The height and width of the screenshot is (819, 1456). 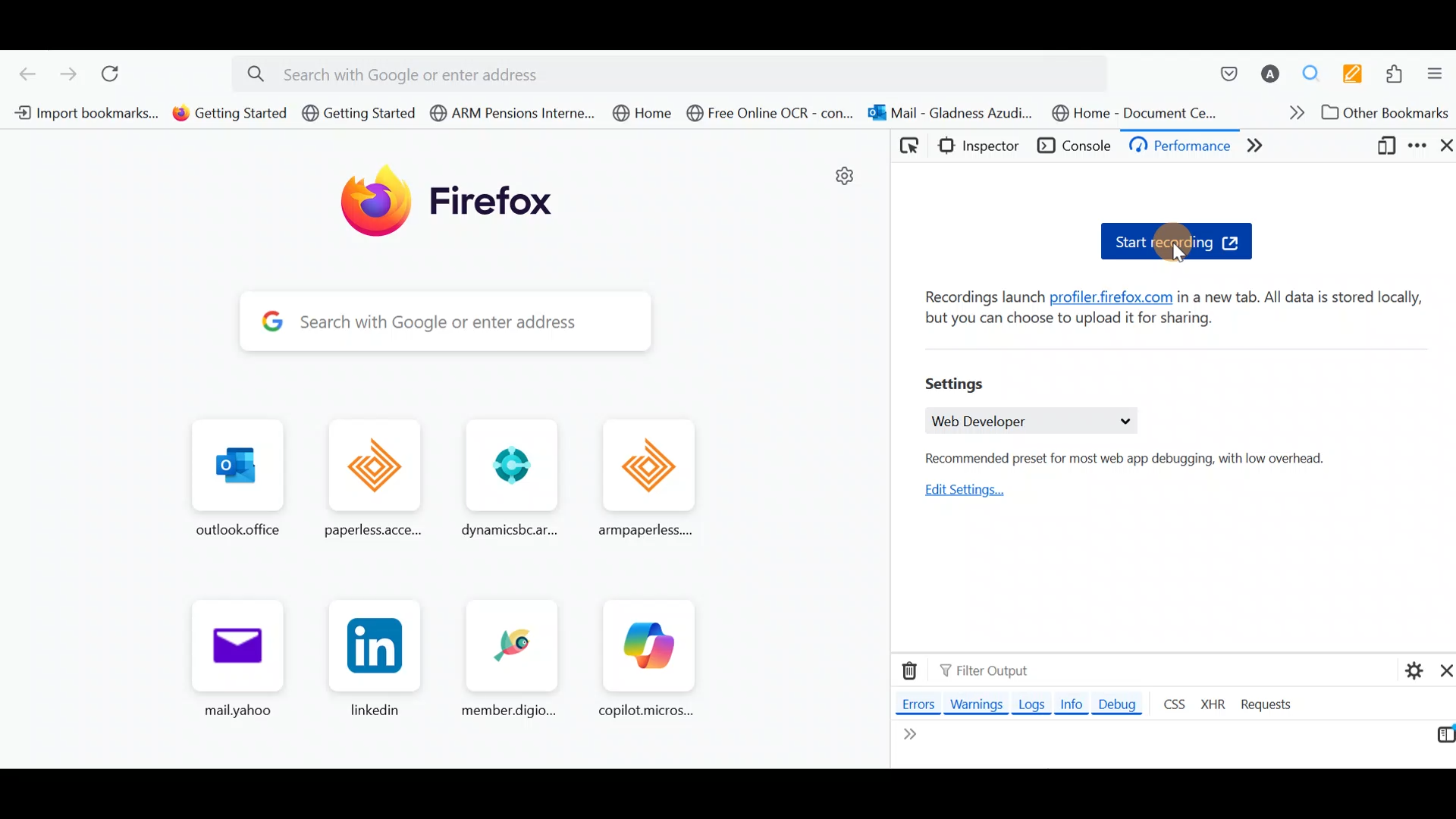 I want to click on Requests, so click(x=1268, y=705).